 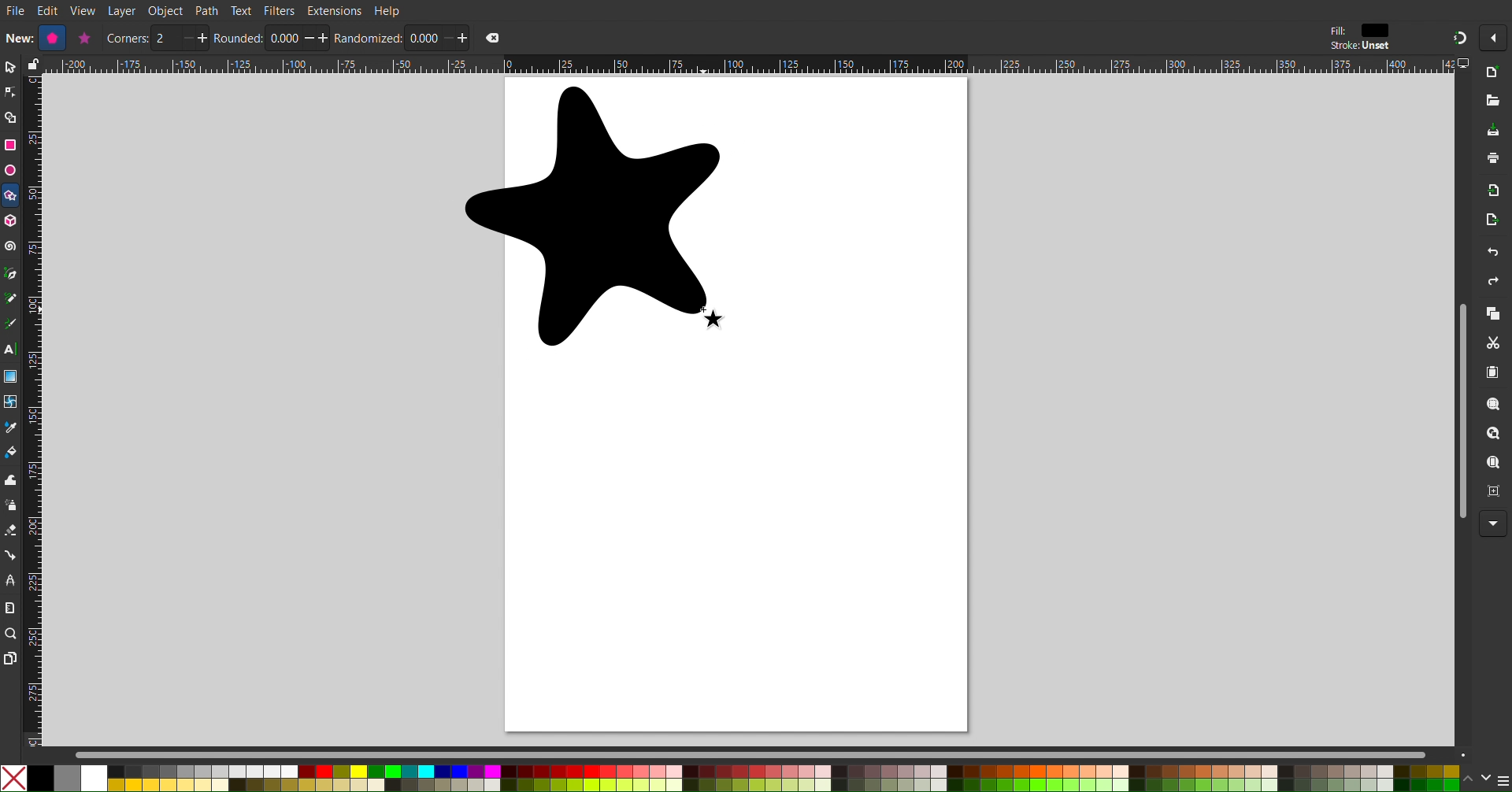 I want to click on Save, so click(x=1493, y=131).